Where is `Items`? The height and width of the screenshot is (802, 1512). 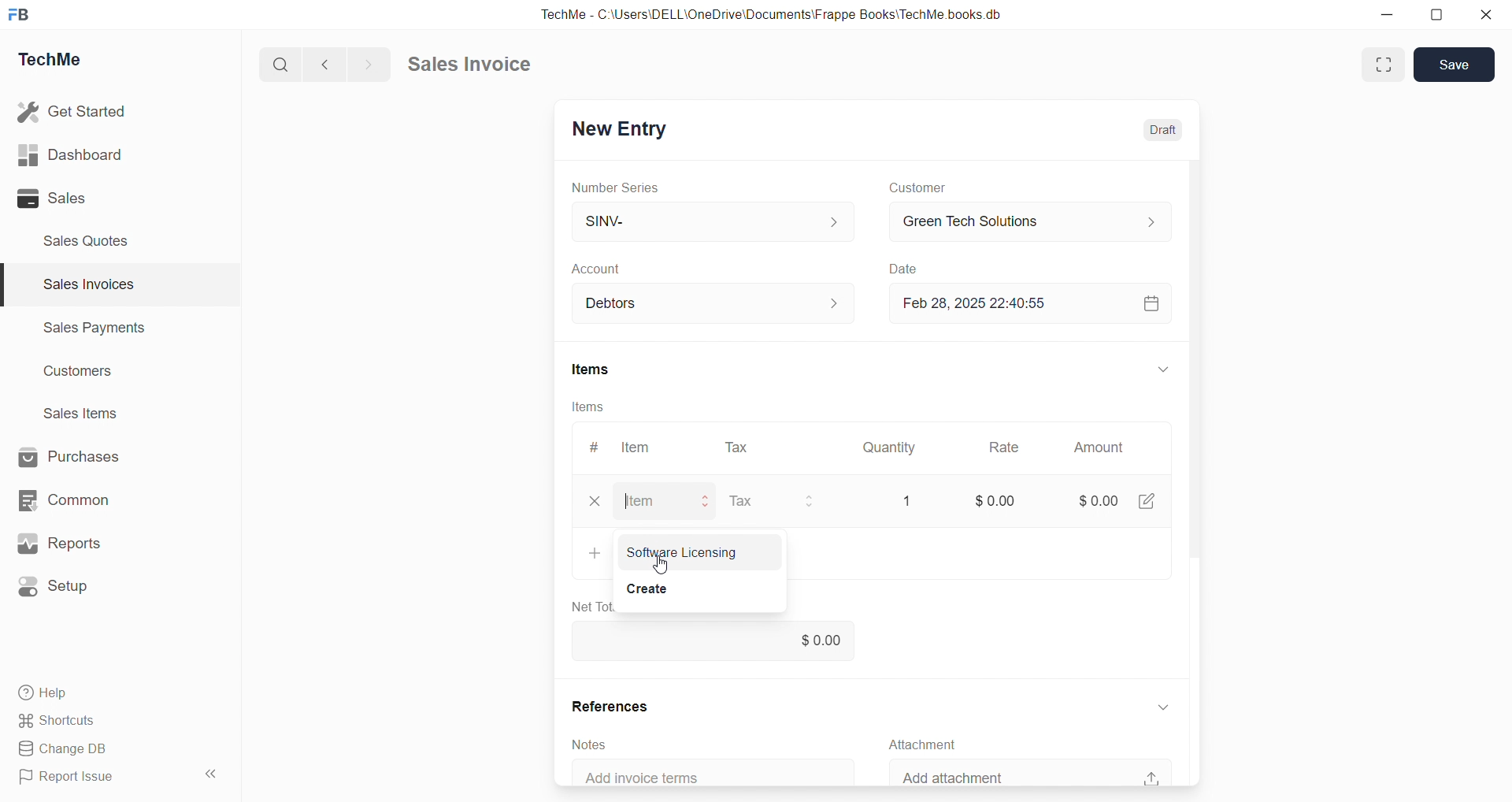
Items is located at coordinates (592, 369).